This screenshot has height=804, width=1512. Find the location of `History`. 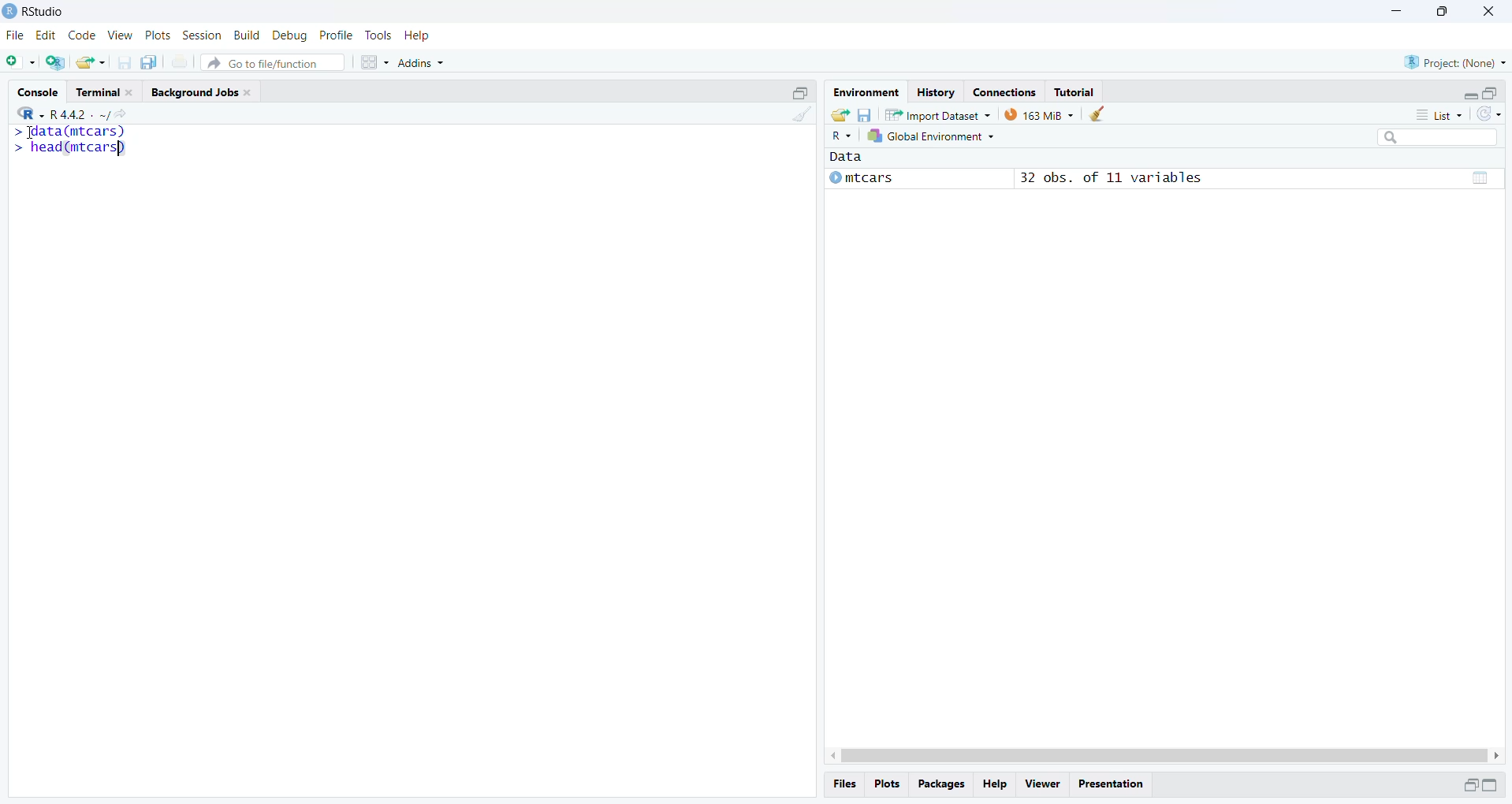

History is located at coordinates (938, 93).